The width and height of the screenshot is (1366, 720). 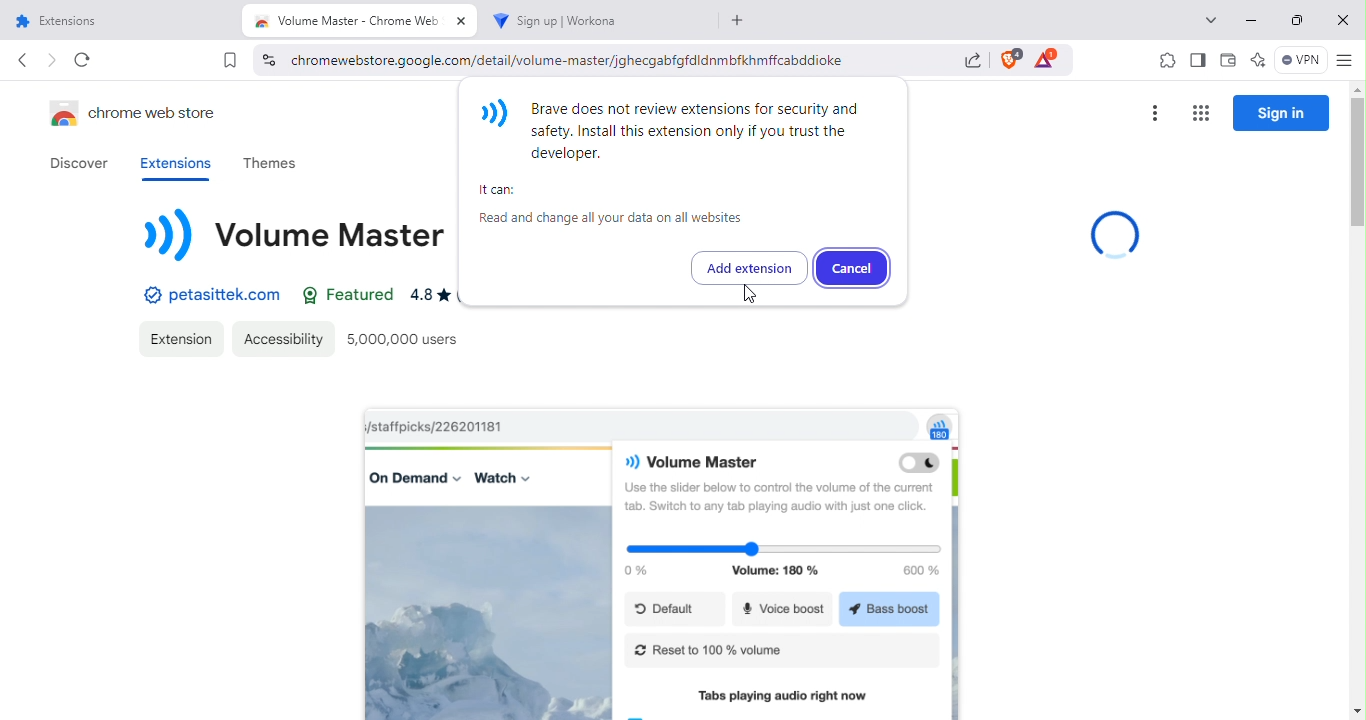 What do you see at coordinates (117, 19) in the screenshot?
I see `Extensions` at bounding box center [117, 19].